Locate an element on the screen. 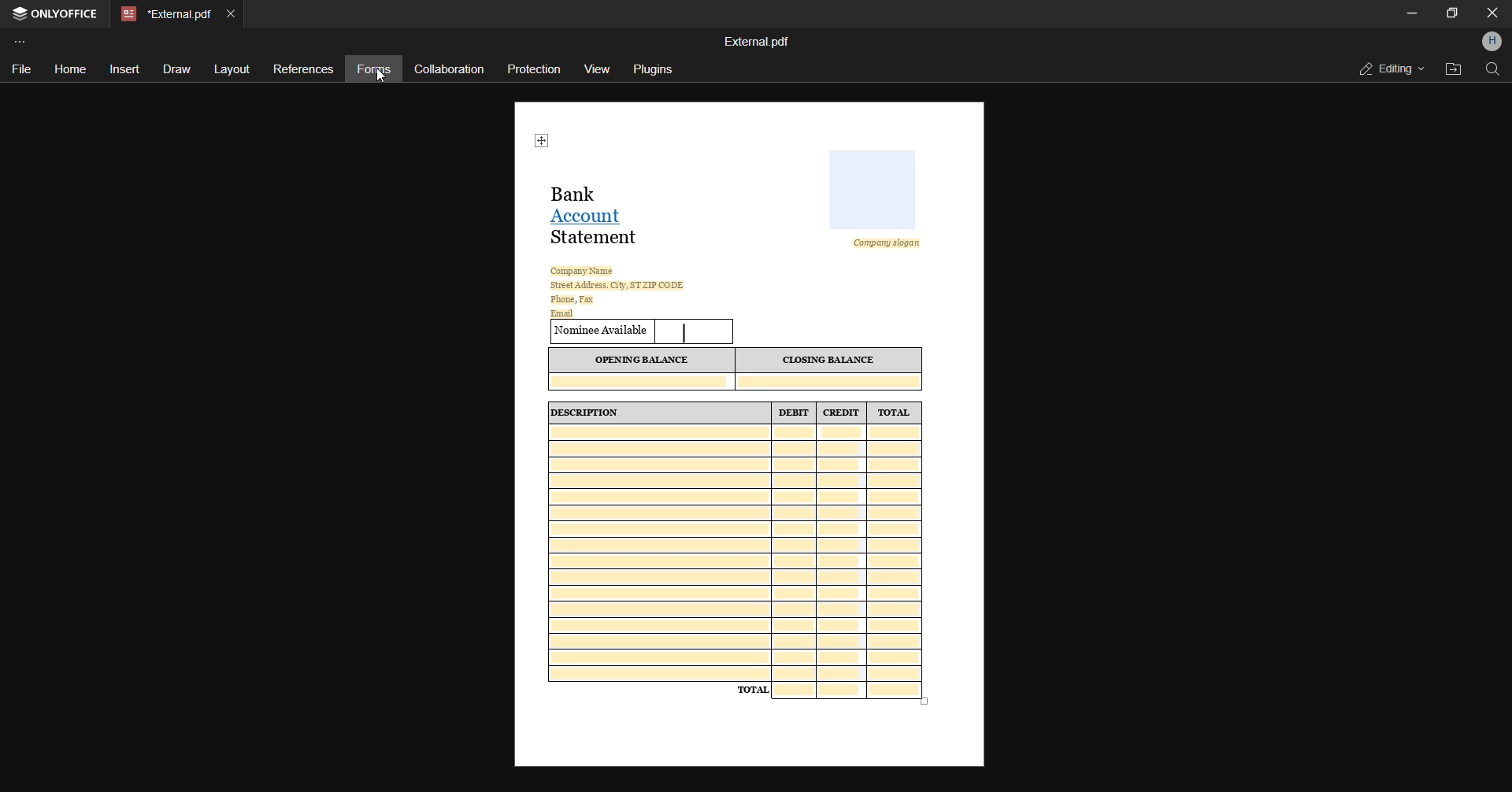 The width and height of the screenshot is (1512, 792). open file location is located at coordinates (1453, 68).